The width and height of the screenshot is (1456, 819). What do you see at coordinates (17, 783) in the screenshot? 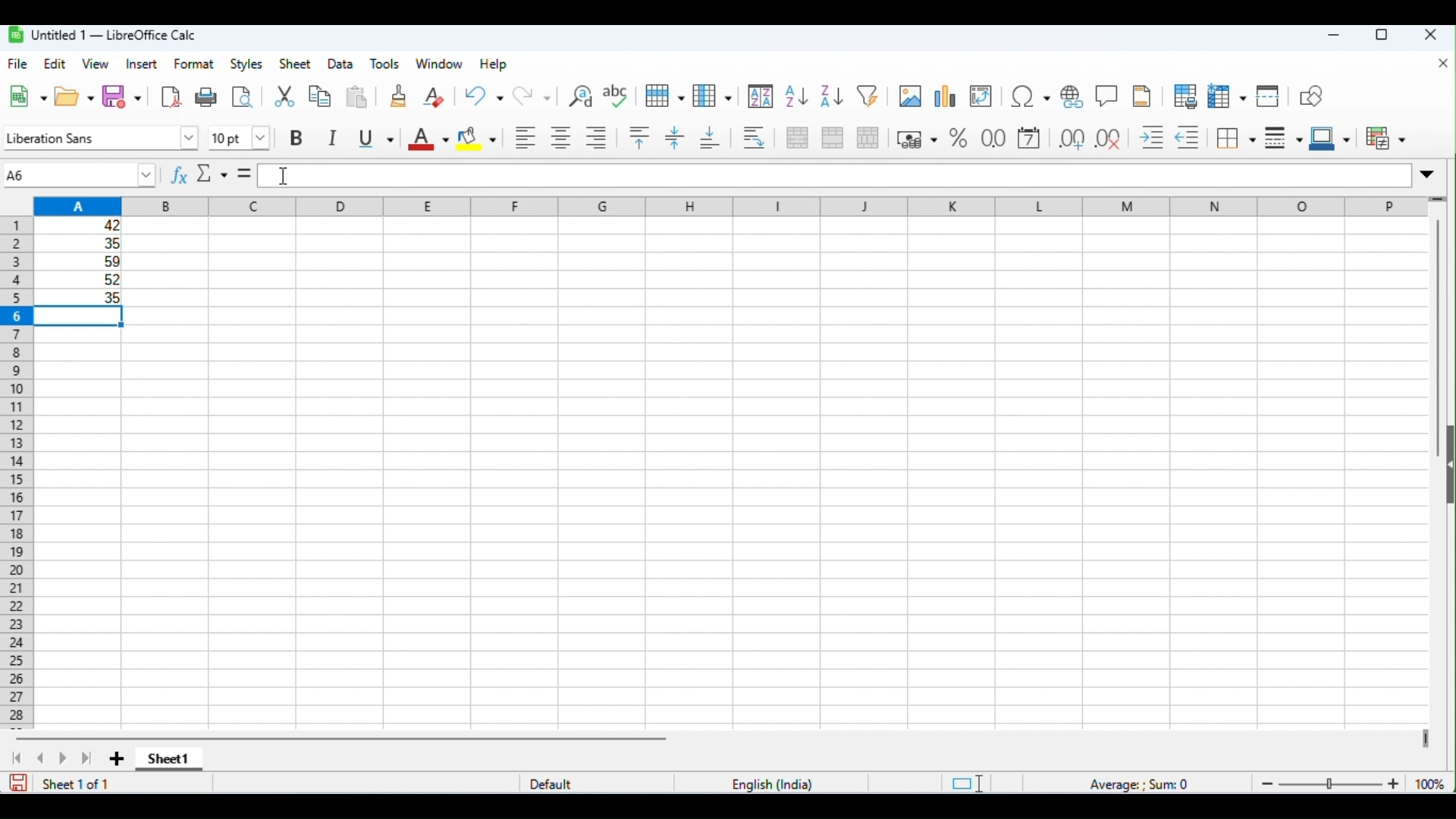
I see `save` at bounding box center [17, 783].